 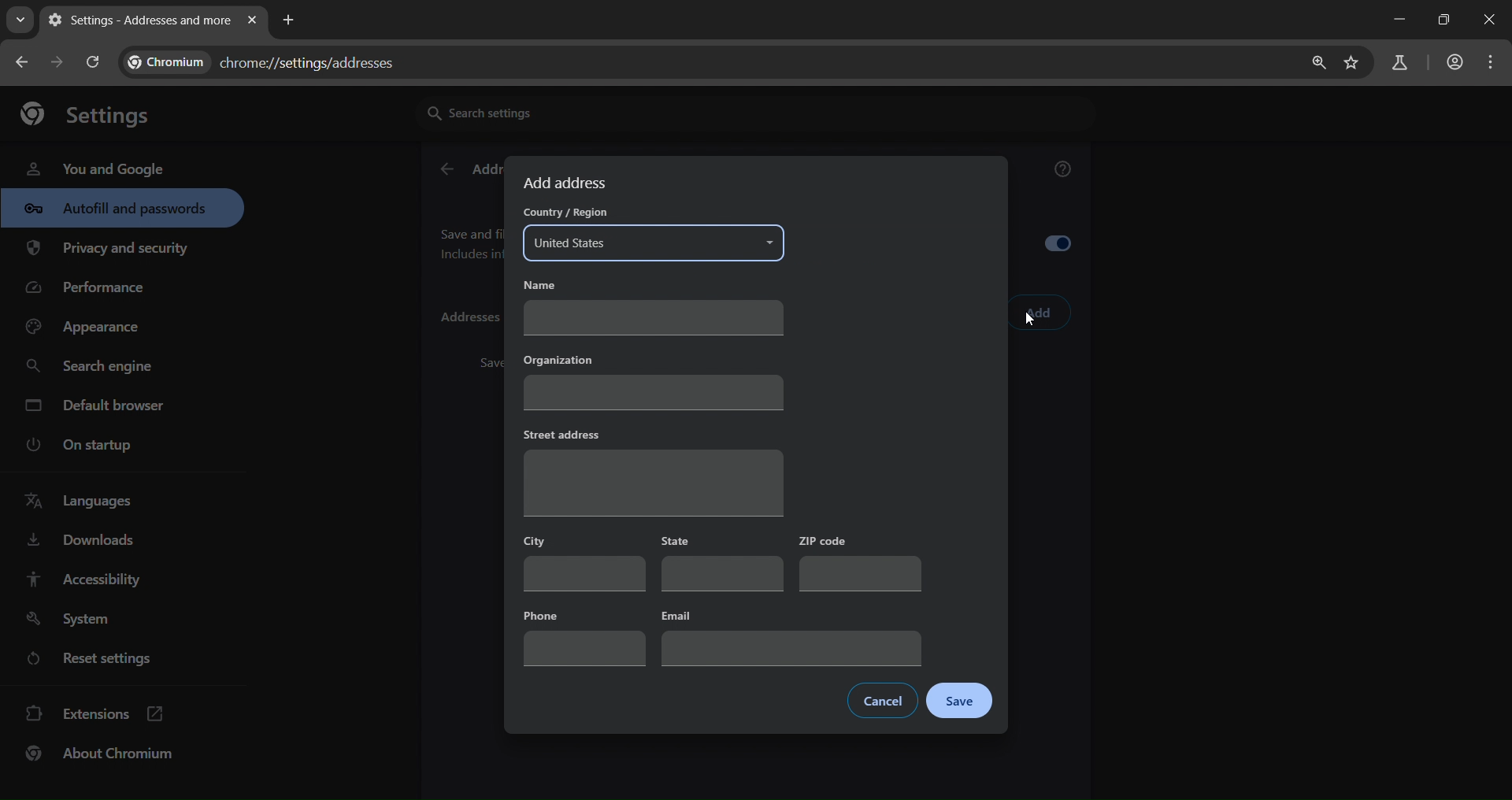 I want to click on reset settings, so click(x=104, y=661).